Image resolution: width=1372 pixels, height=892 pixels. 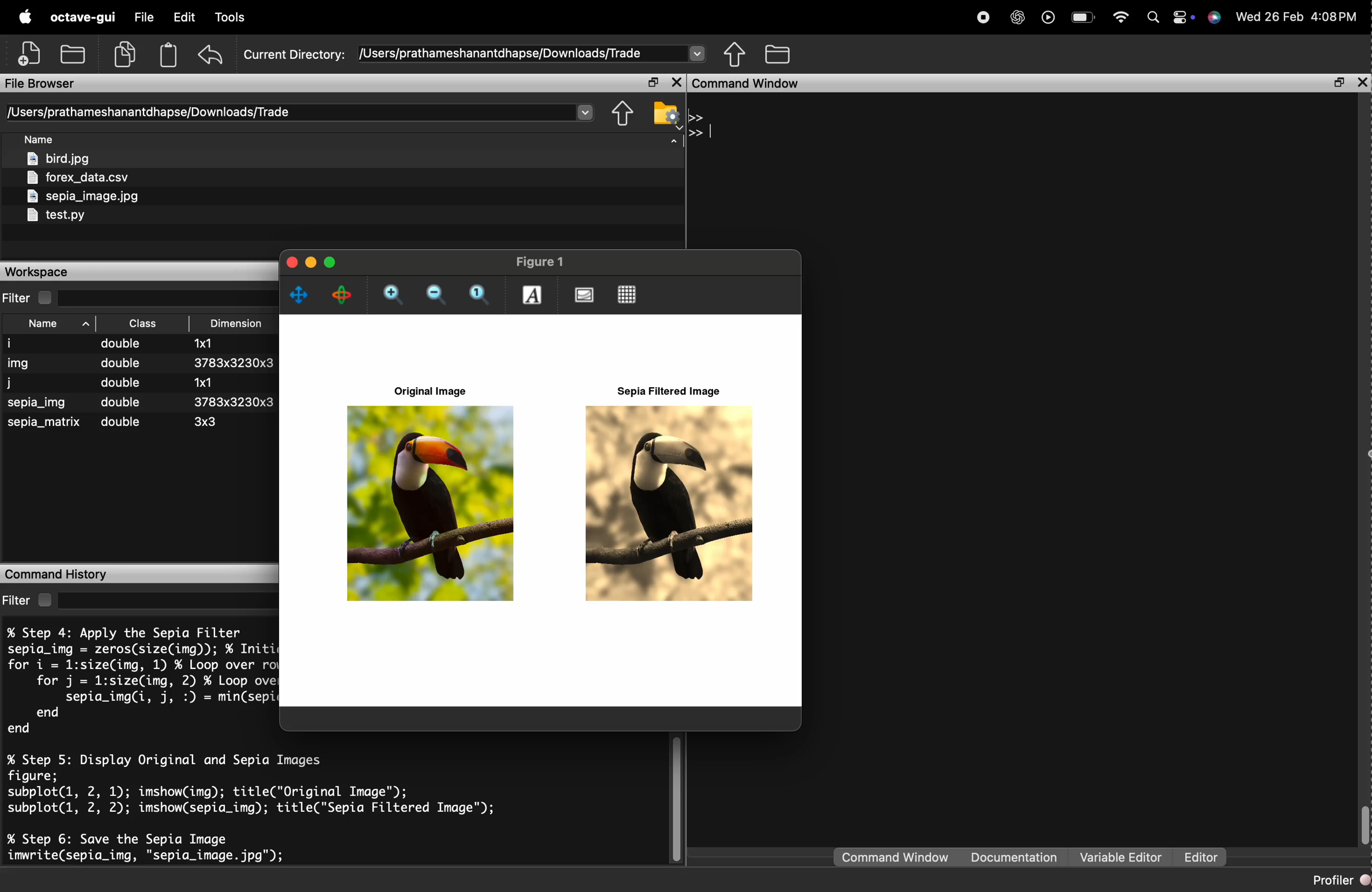 What do you see at coordinates (1121, 18) in the screenshot?
I see `wifi` at bounding box center [1121, 18].